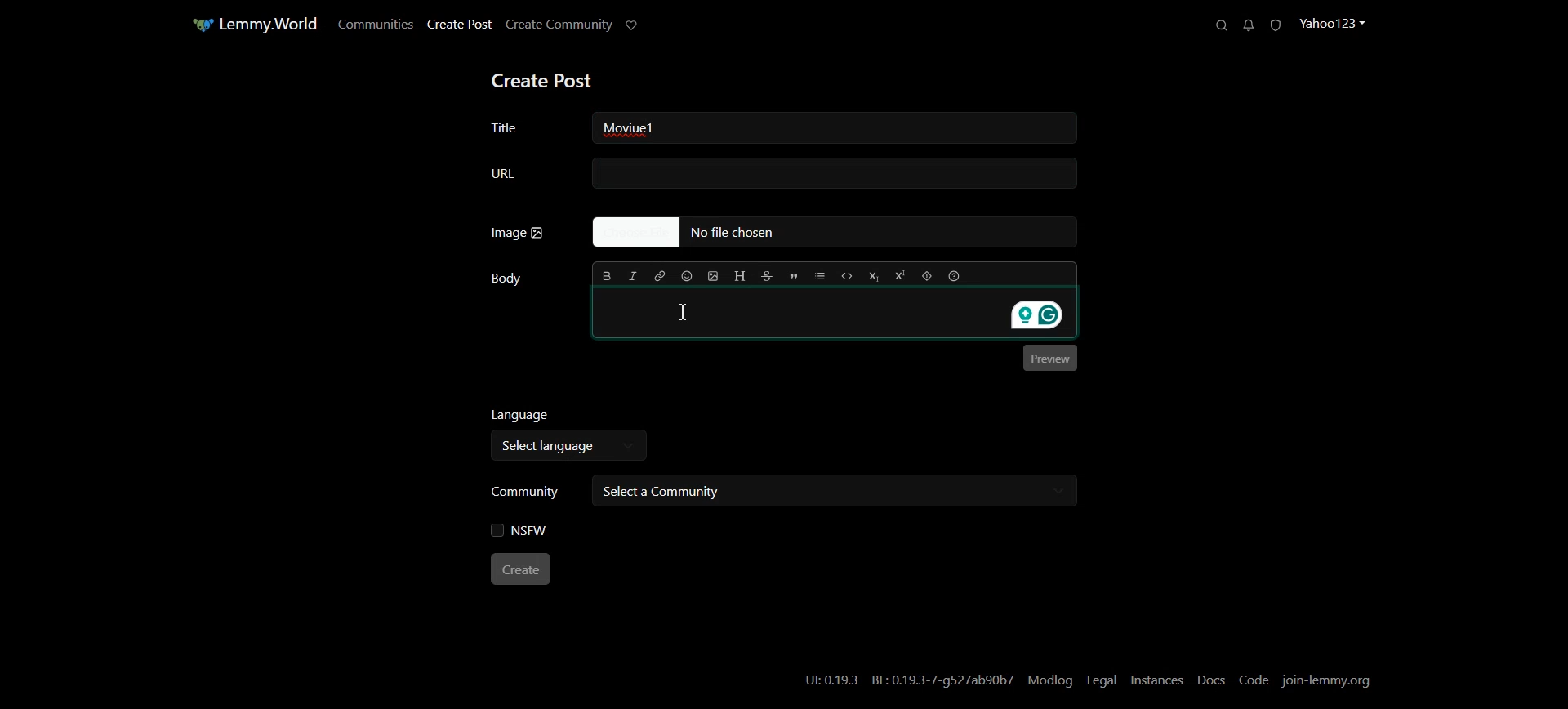 The image size is (1568, 709). What do you see at coordinates (927, 275) in the screenshot?
I see `Spoiler` at bounding box center [927, 275].